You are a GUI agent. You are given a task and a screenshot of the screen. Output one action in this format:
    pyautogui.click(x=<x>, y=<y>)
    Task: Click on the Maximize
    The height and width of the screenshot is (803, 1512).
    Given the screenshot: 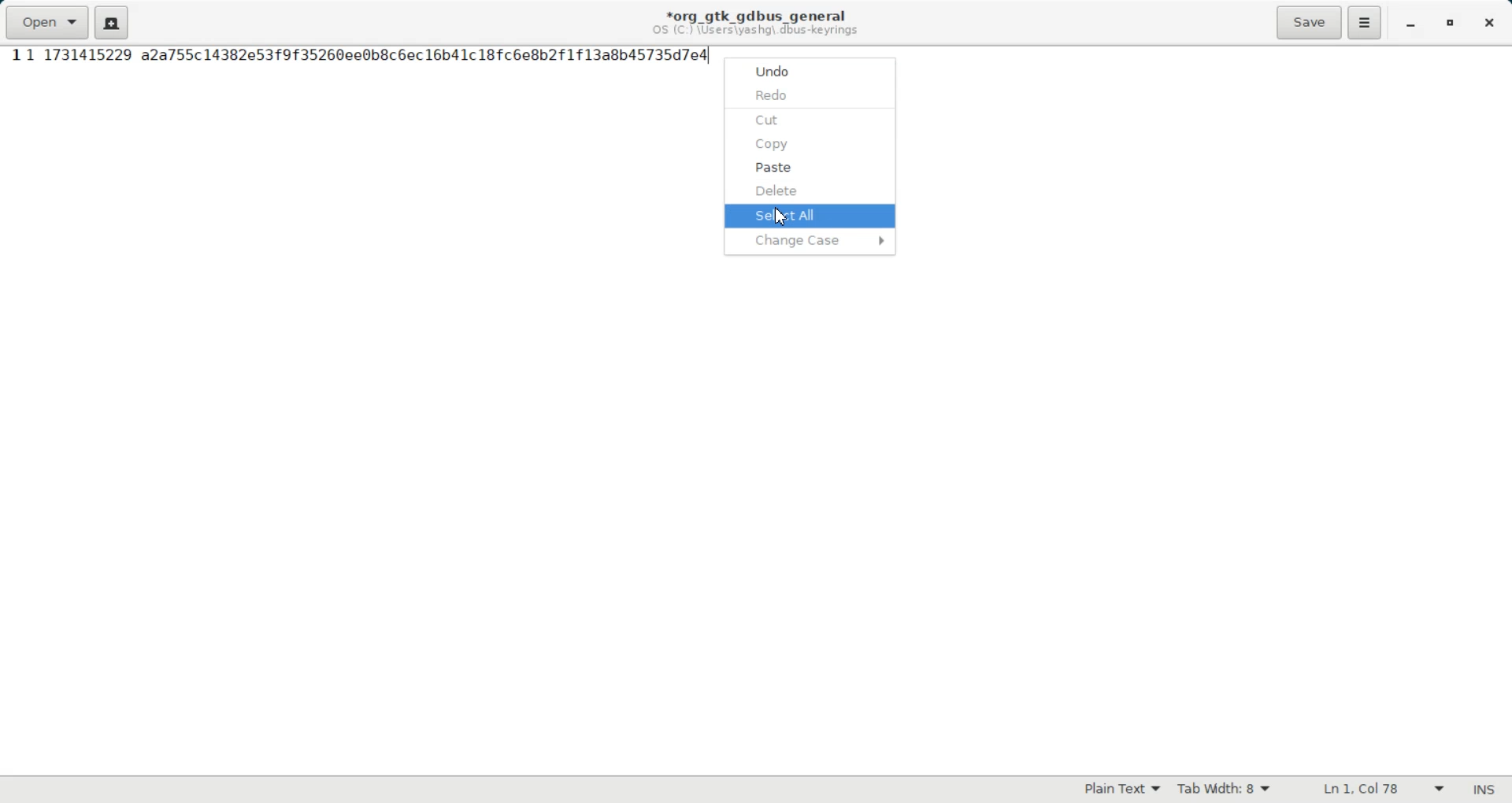 What is the action you would take?
    pyautogui.click(x=1452, y=24)
    